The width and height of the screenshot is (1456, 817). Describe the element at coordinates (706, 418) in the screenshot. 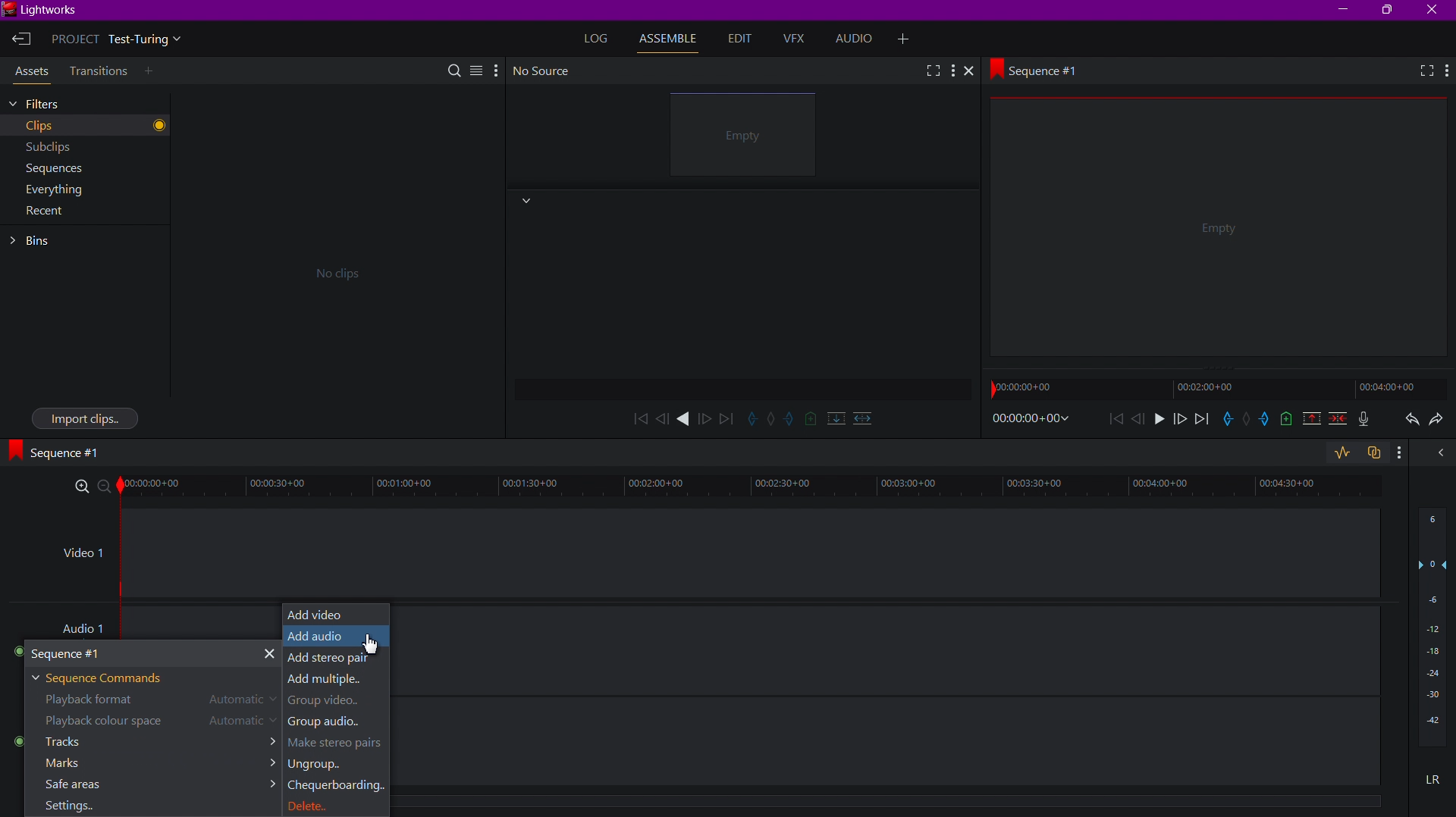

I see `forward` at that location.